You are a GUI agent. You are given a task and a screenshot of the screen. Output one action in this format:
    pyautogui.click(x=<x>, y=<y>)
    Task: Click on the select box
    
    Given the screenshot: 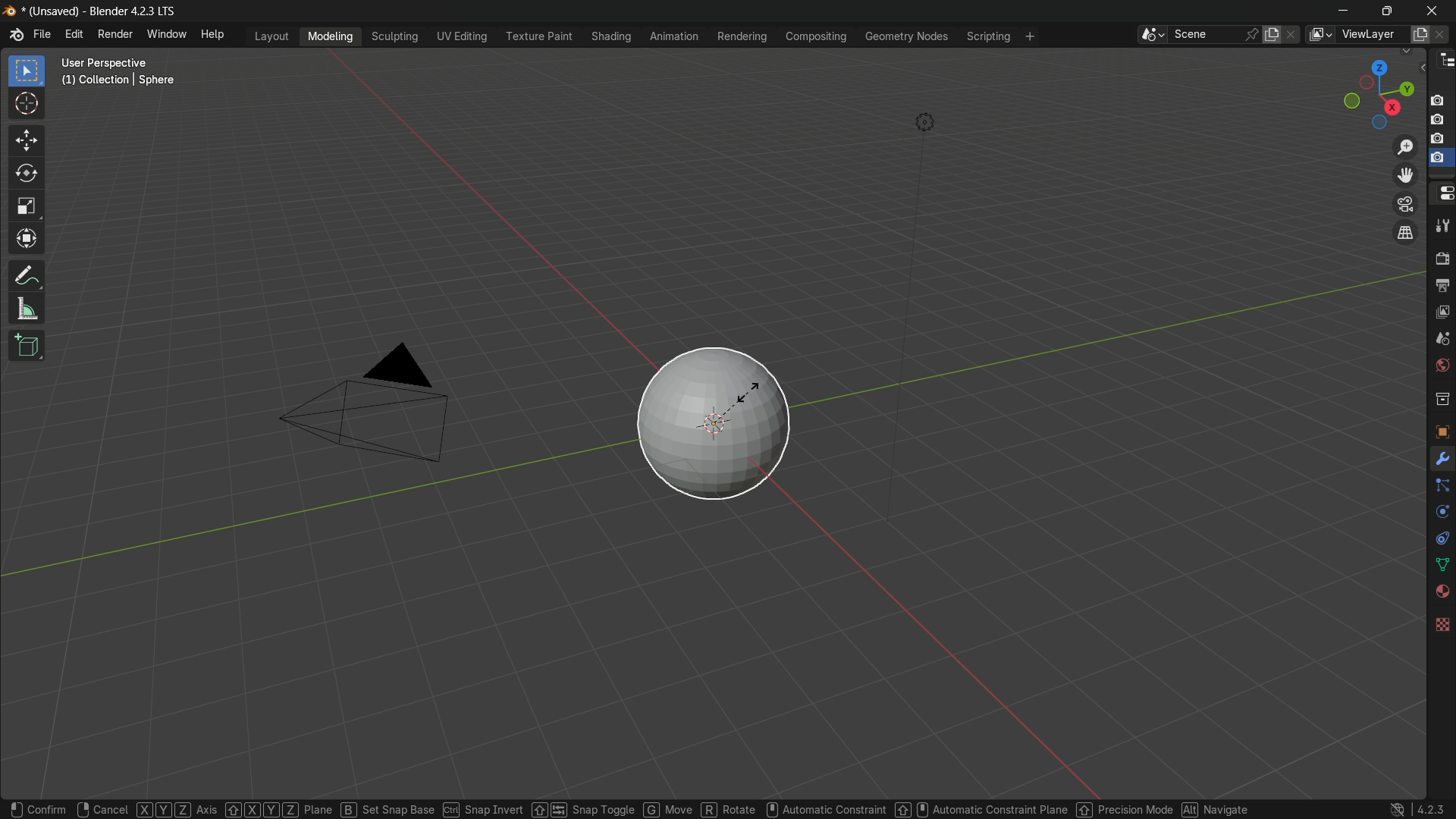 What is the action you would take?
    pyautogui.click(x=25, y=71)
    